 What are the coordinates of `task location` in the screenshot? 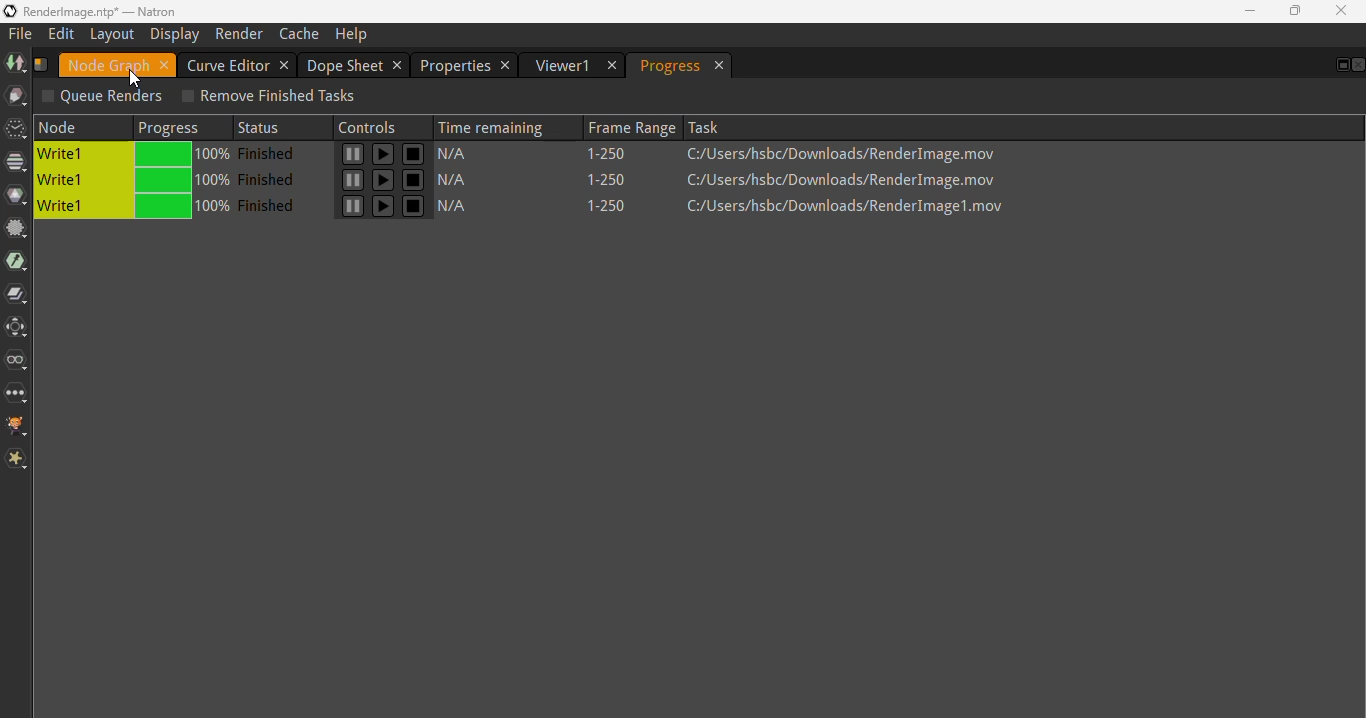 It's located at (847, 154).